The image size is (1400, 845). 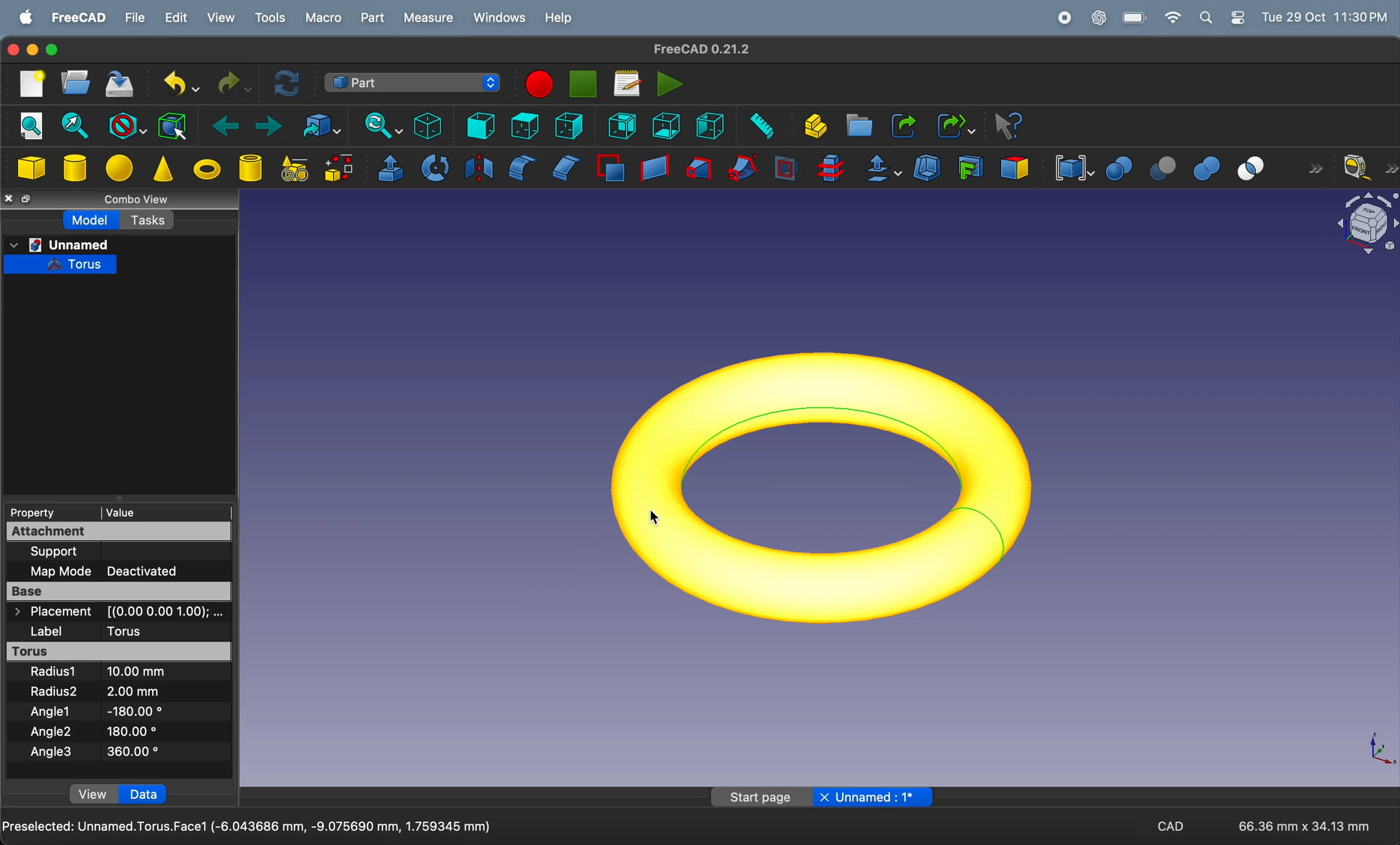 I want to click on revolve, so click(x=435, y=169).